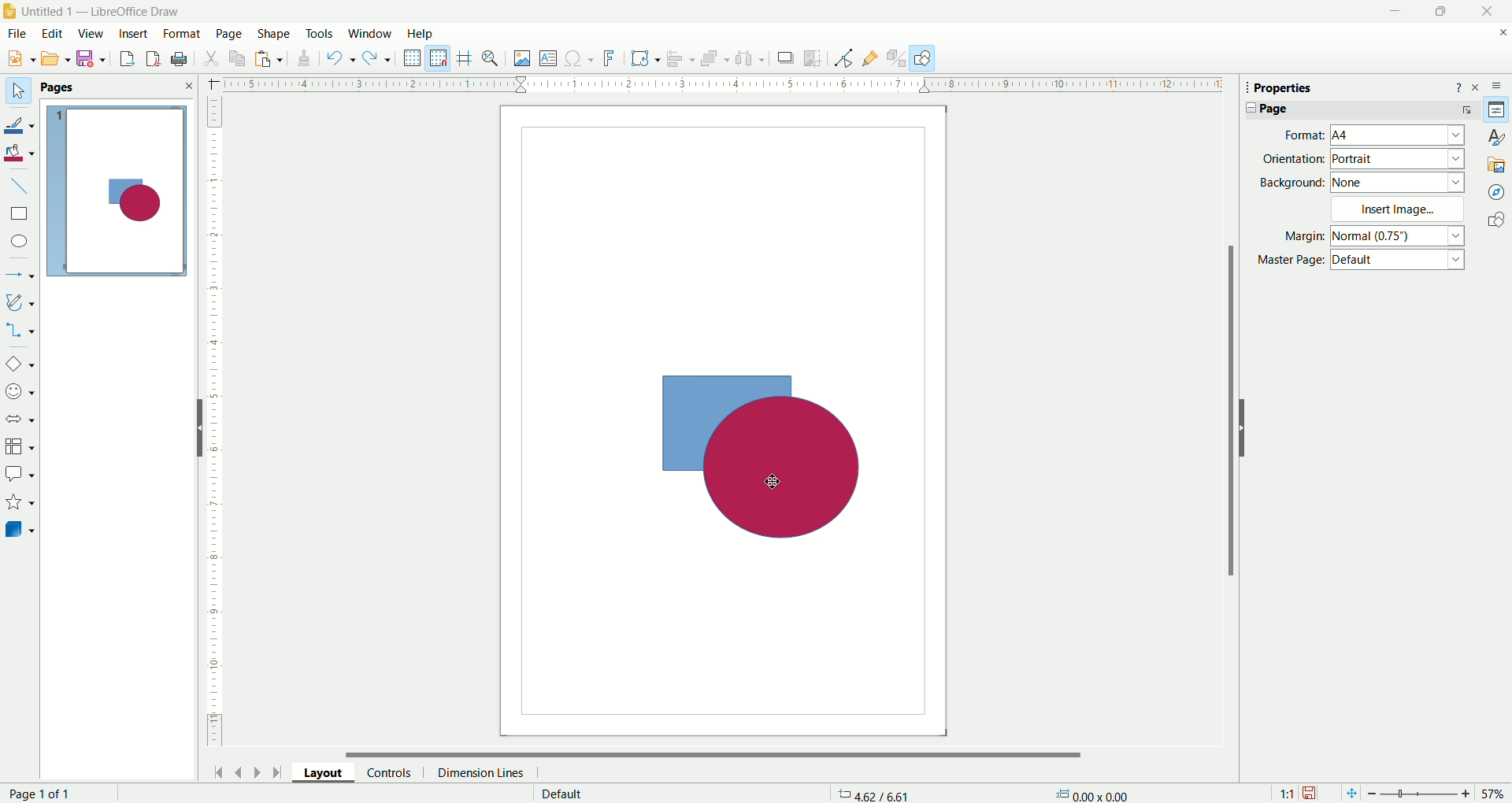 This screenshot has height=803, width=1512. What do you see at coordinates (1313, 790) in the screenshot?
I see `save` at bounding box center [1313, 790].